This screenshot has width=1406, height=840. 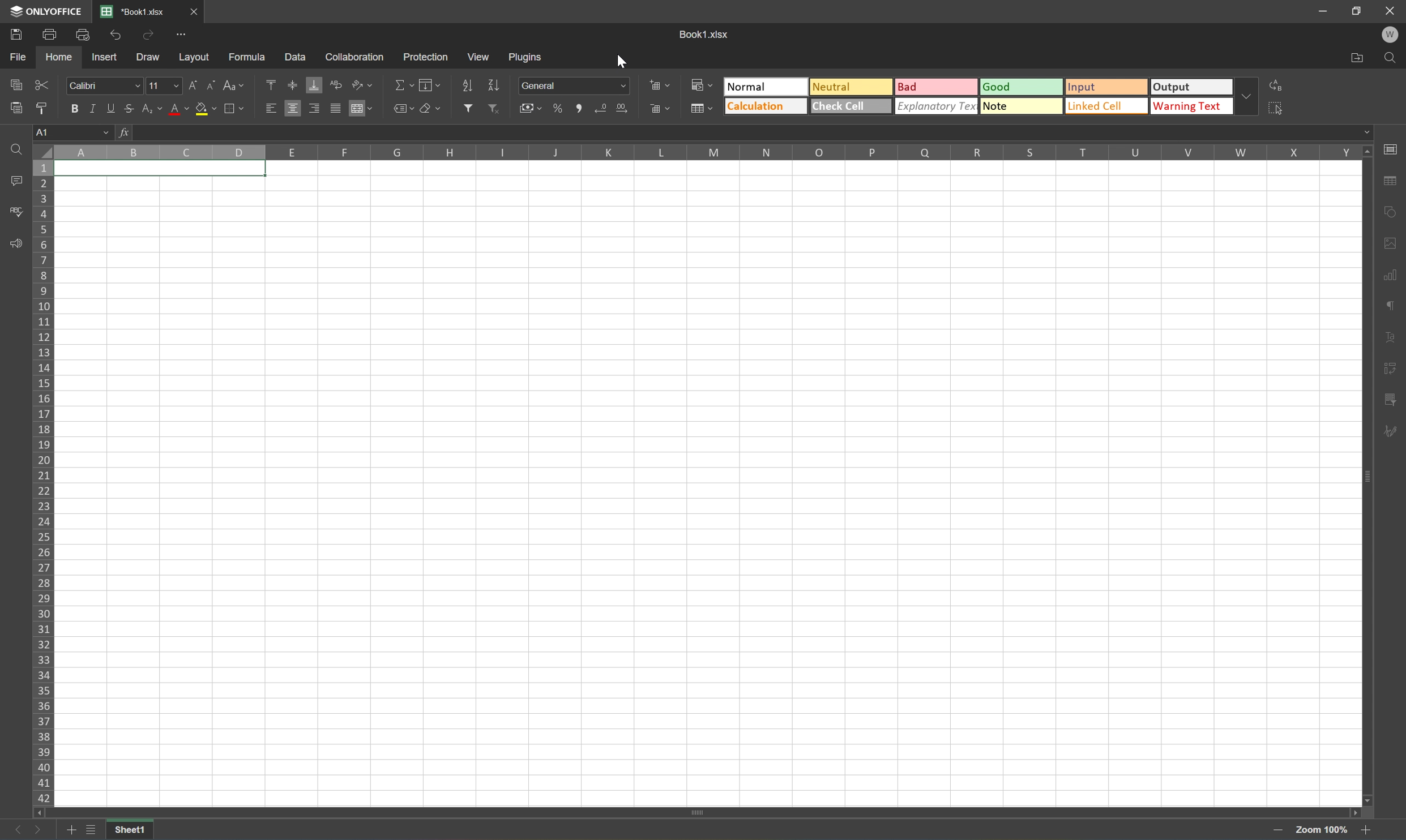 I want to click on Zoom out, so click(x=1361, y=832).